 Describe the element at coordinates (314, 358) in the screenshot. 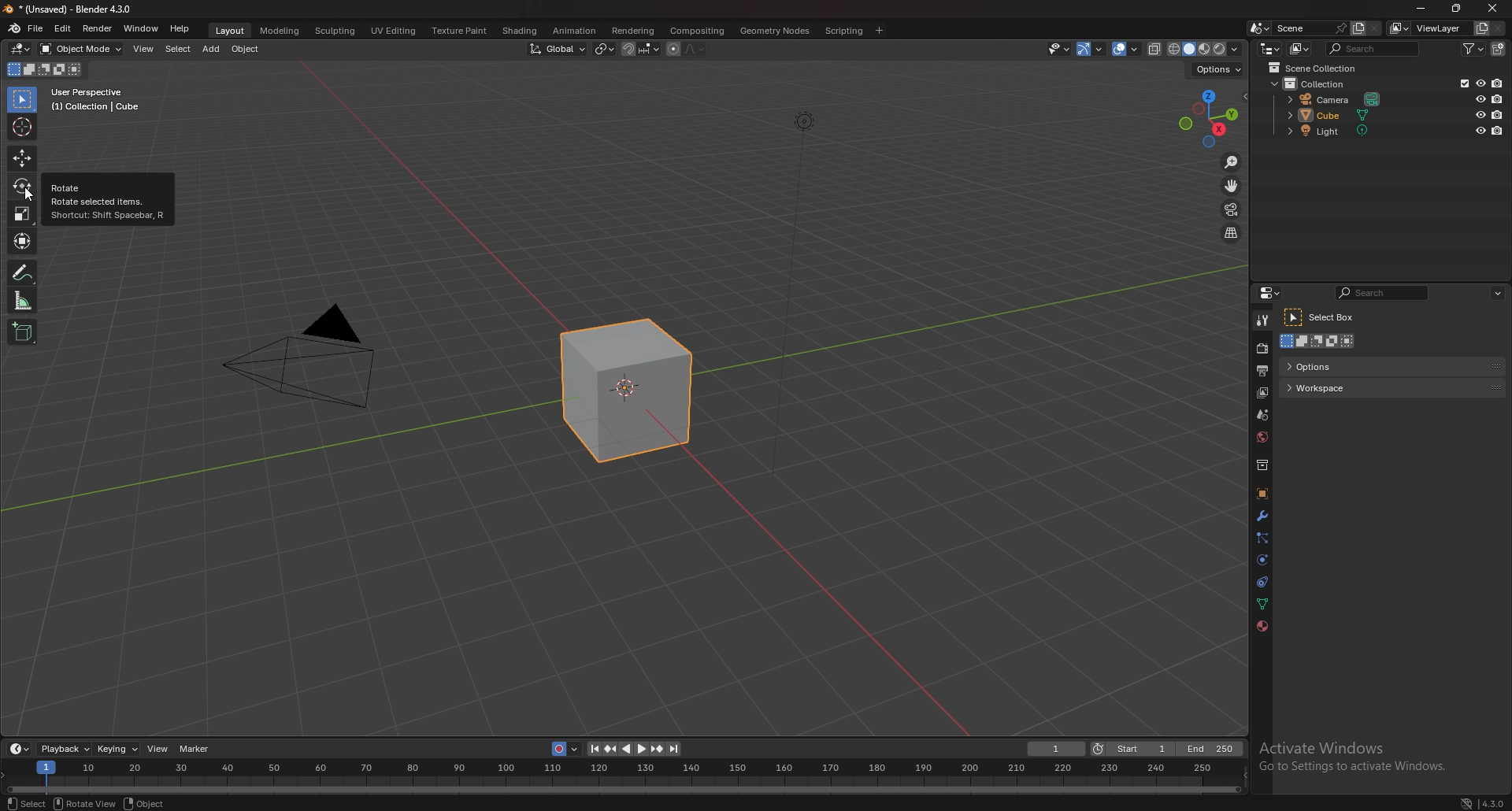

I see `camera` at that location.